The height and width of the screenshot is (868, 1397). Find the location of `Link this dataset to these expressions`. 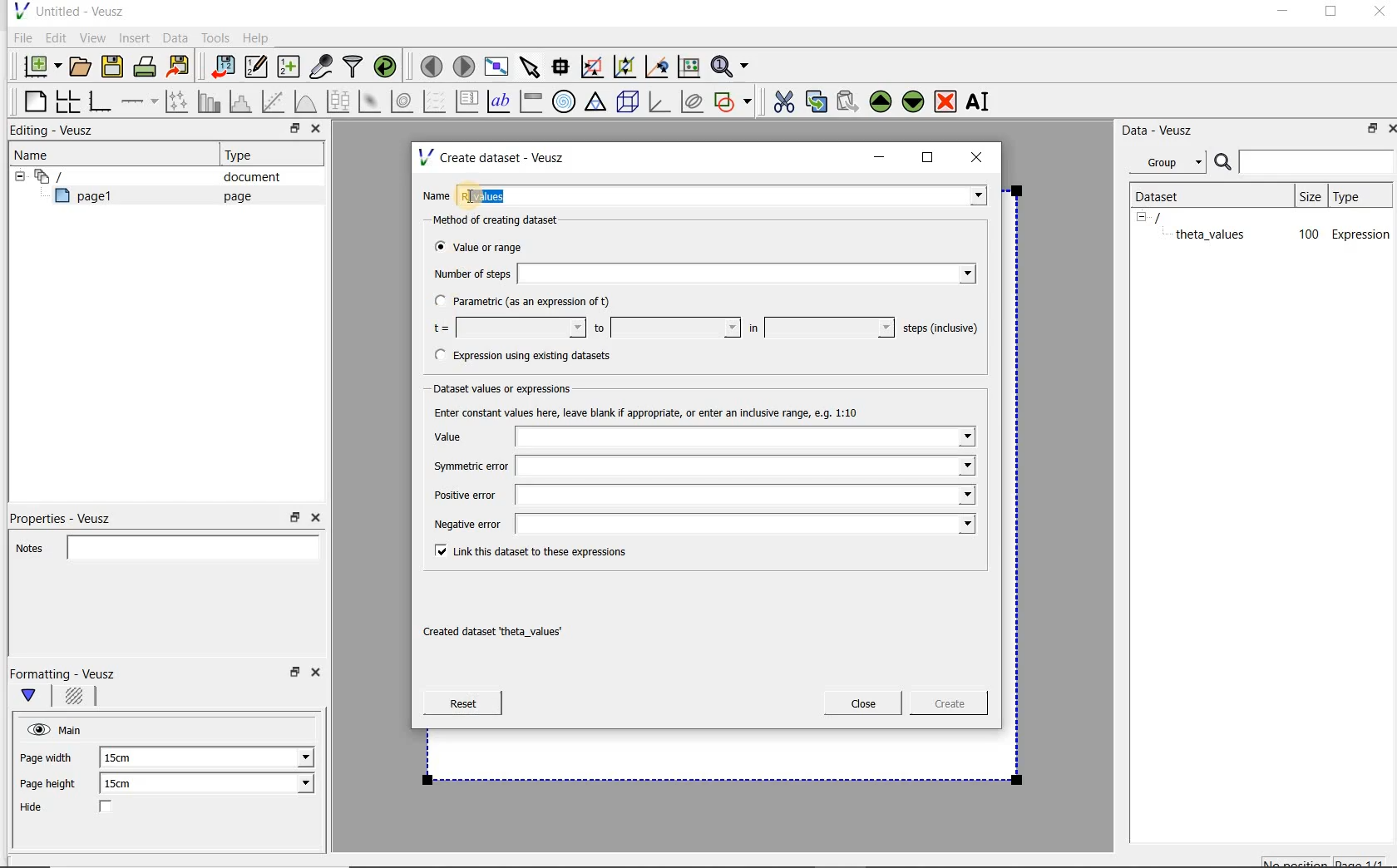

Link this dataset to these expressions is located at coordinates (526, 550).